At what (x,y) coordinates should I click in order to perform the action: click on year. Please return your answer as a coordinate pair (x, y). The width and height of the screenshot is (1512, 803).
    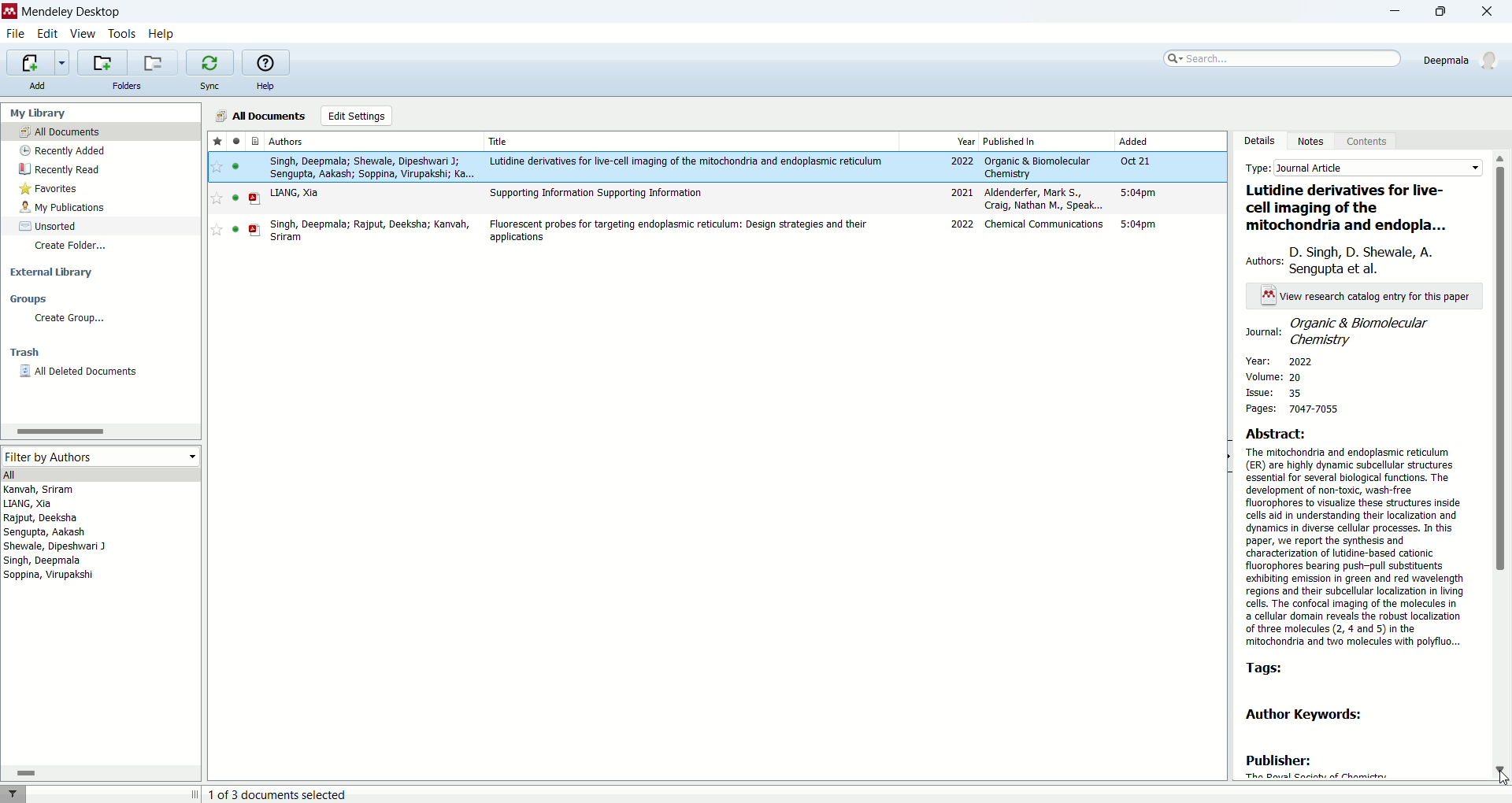
    Looking at the image, I should click on (966, 142).